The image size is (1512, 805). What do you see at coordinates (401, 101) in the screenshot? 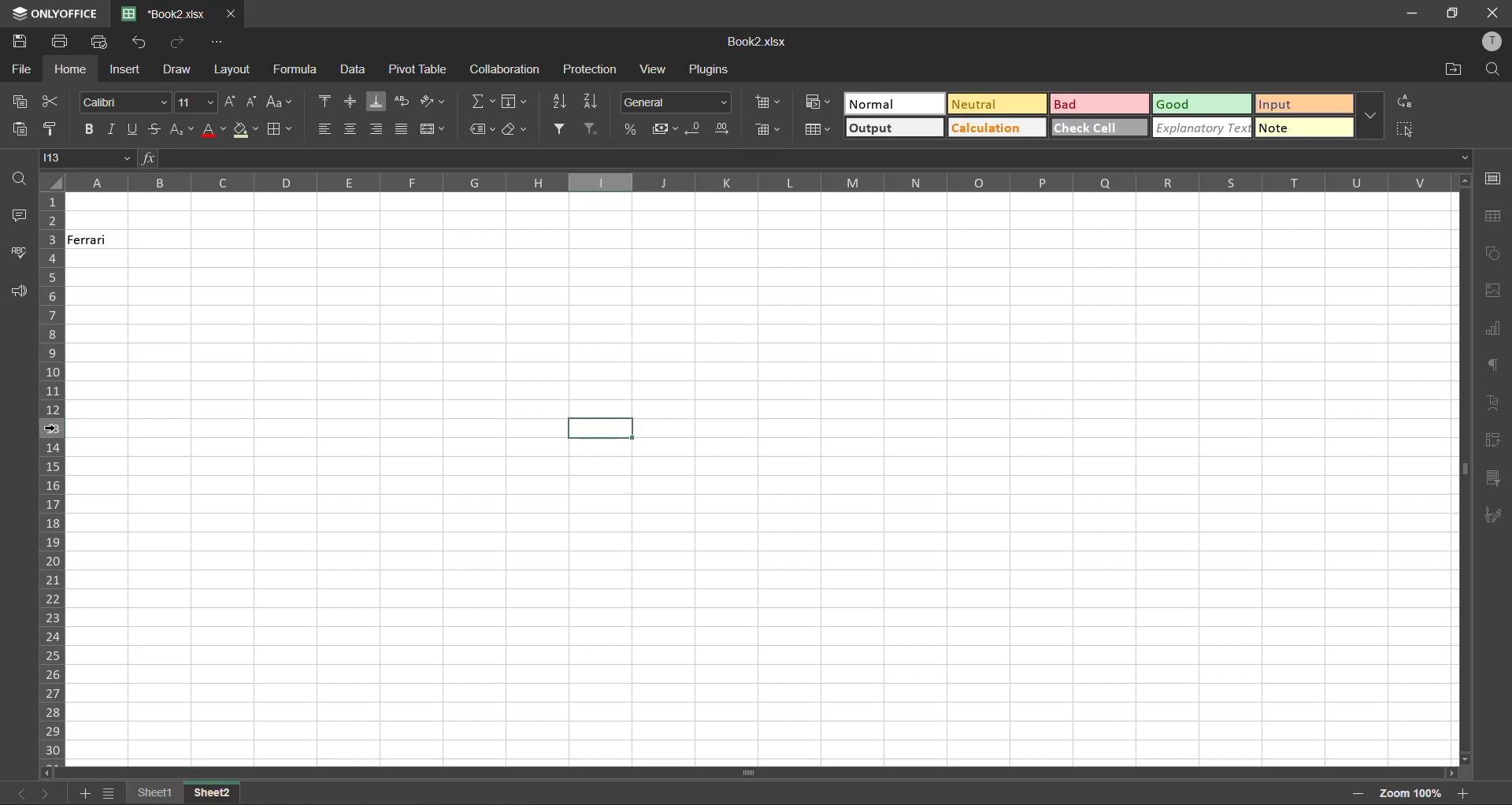
I see `wrap text` at bounding box center [401, 101].